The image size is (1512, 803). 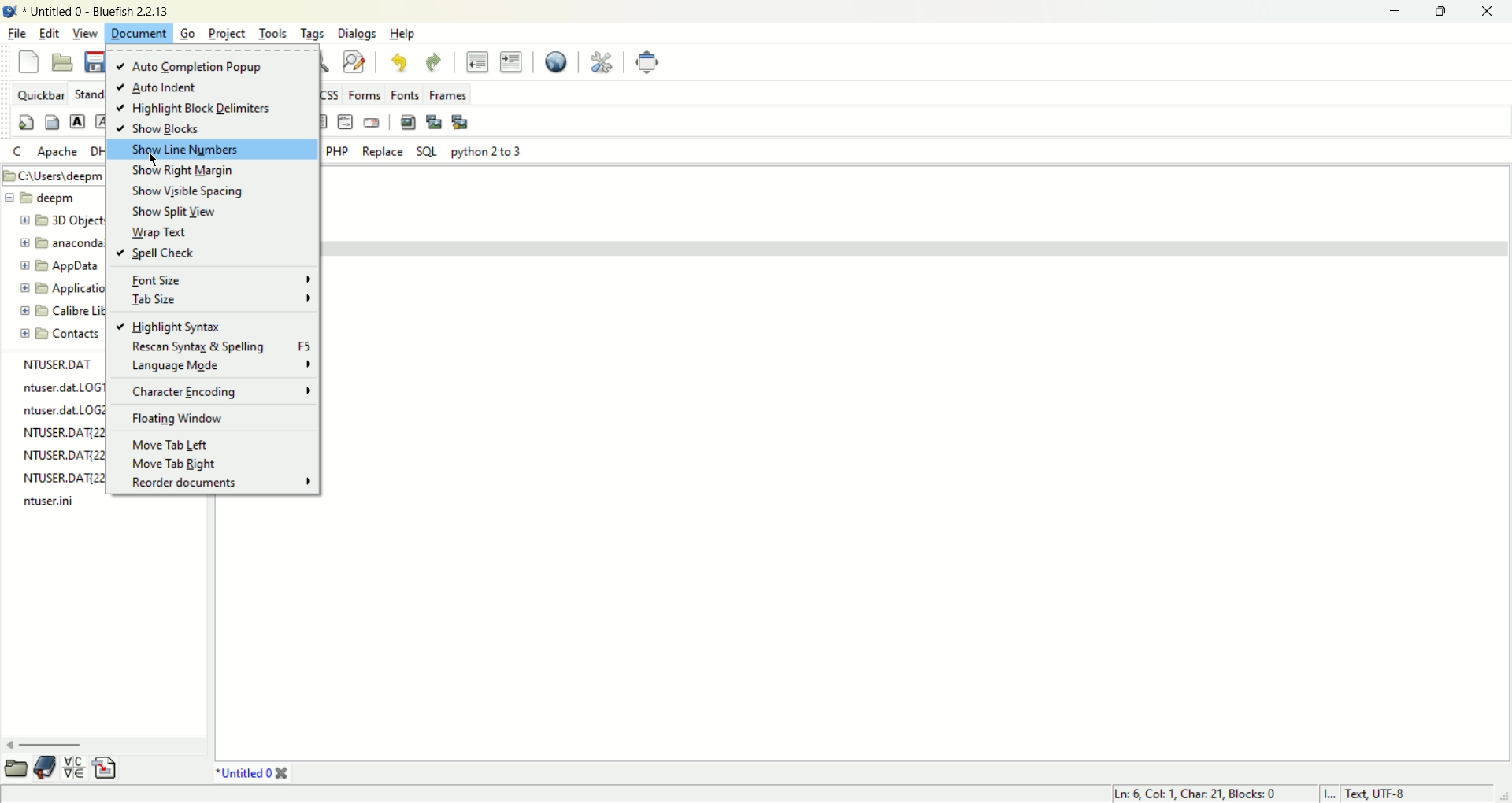 What do you see at coordinates (53, 175) in the screenshot?
I see `Folder path` at bounding box center [53, 175].